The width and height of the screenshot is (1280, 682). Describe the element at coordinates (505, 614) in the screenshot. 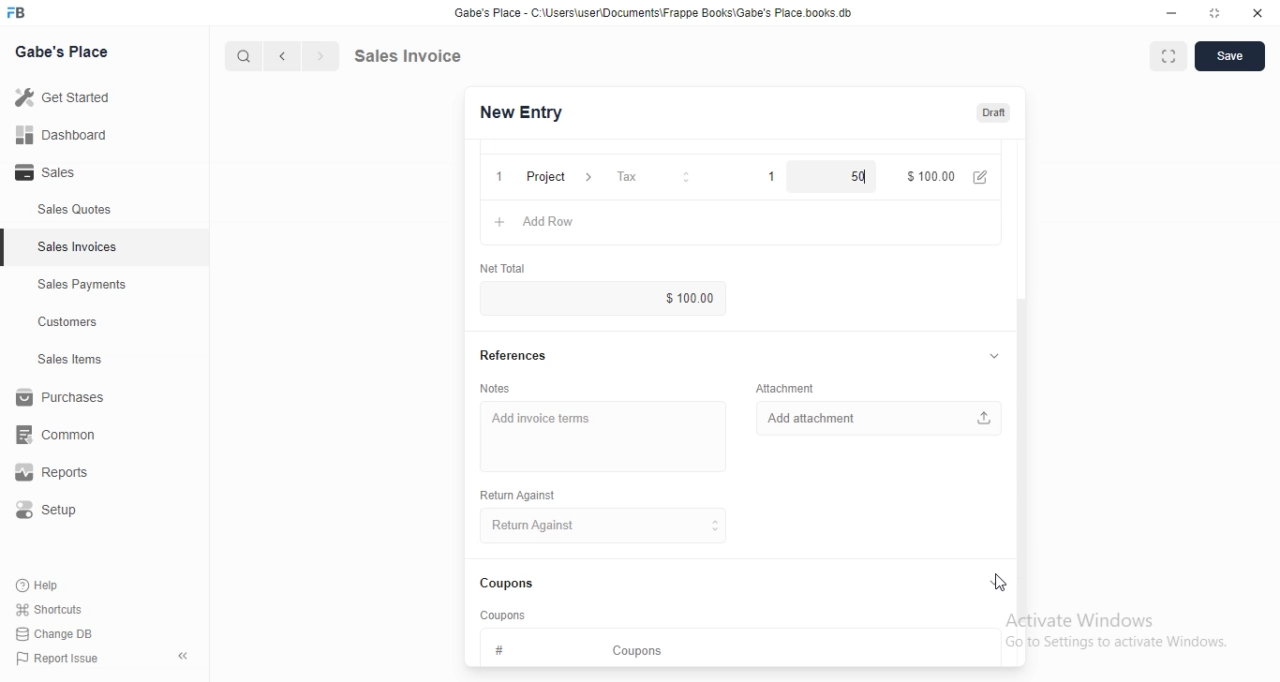

I see `‘Coupons` at that location.